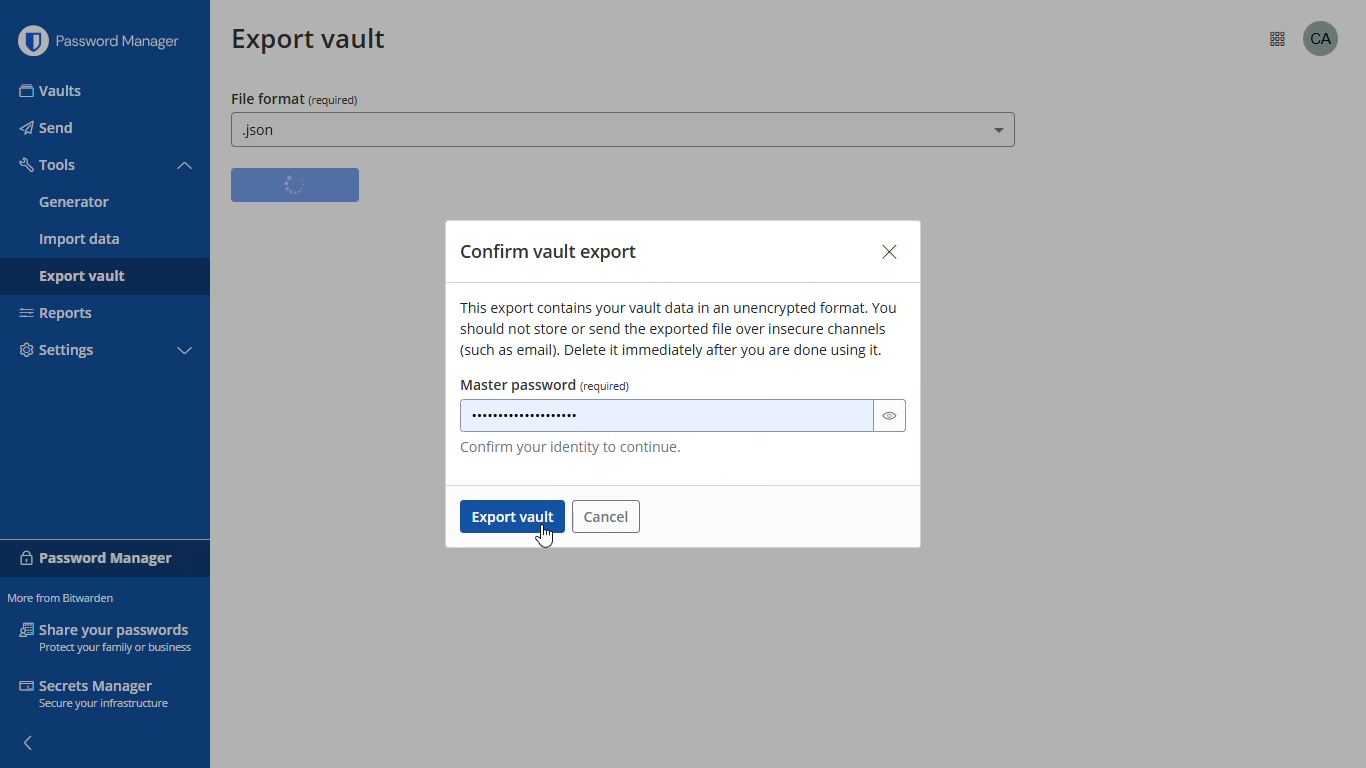 Image resolution: width=1366 pixels, height=768 pixels. What do you see at coordinates (30, 742) in the screenshot?
I see `hide` at bounding box center [30, 742].